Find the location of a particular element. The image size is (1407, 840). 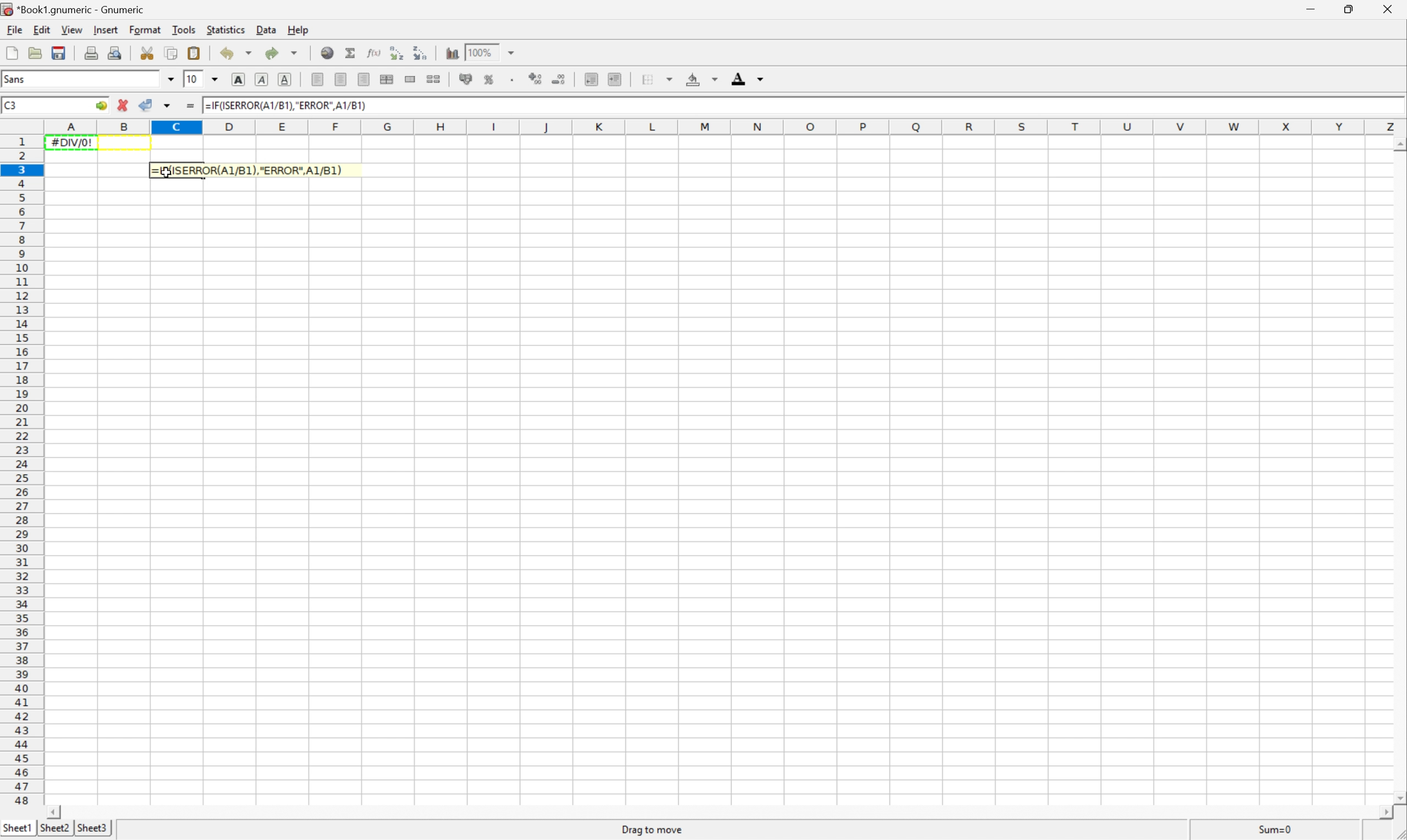

Format is located at coordinates (146, 29).